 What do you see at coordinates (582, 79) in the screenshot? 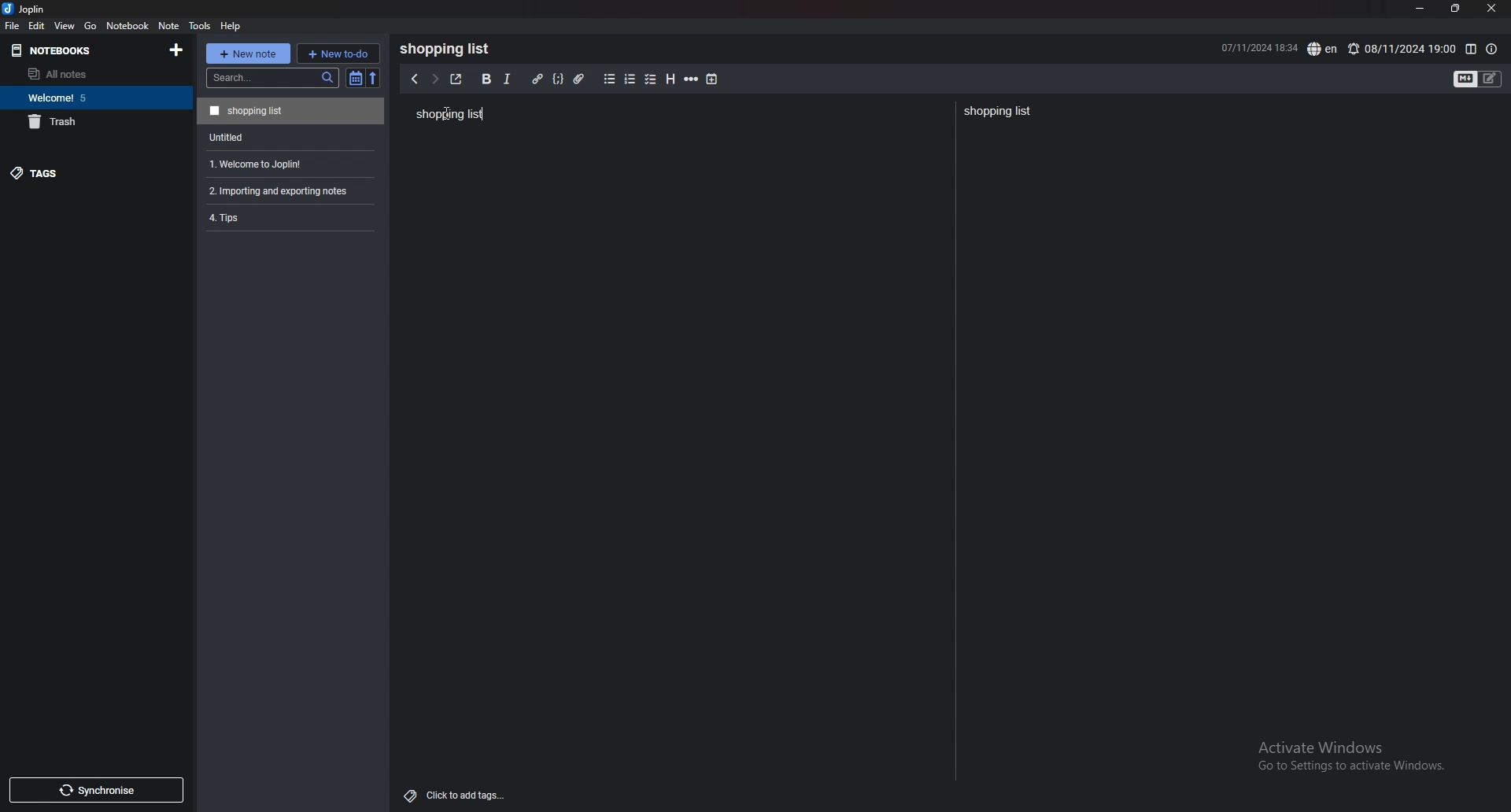
I see `attachment` at bounding box center [582, 79].